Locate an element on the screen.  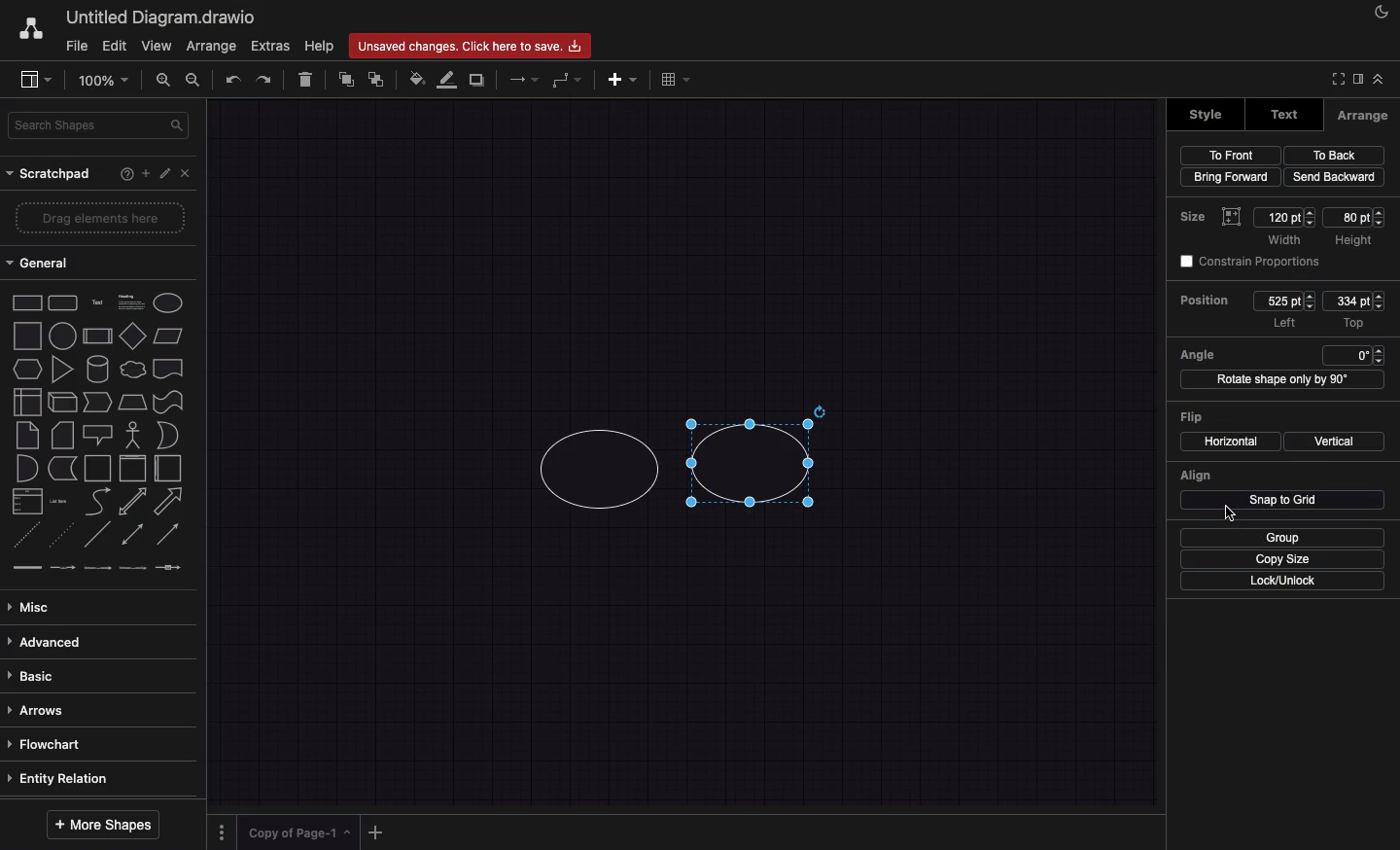
flowchart is located at coordinates (95, 747).